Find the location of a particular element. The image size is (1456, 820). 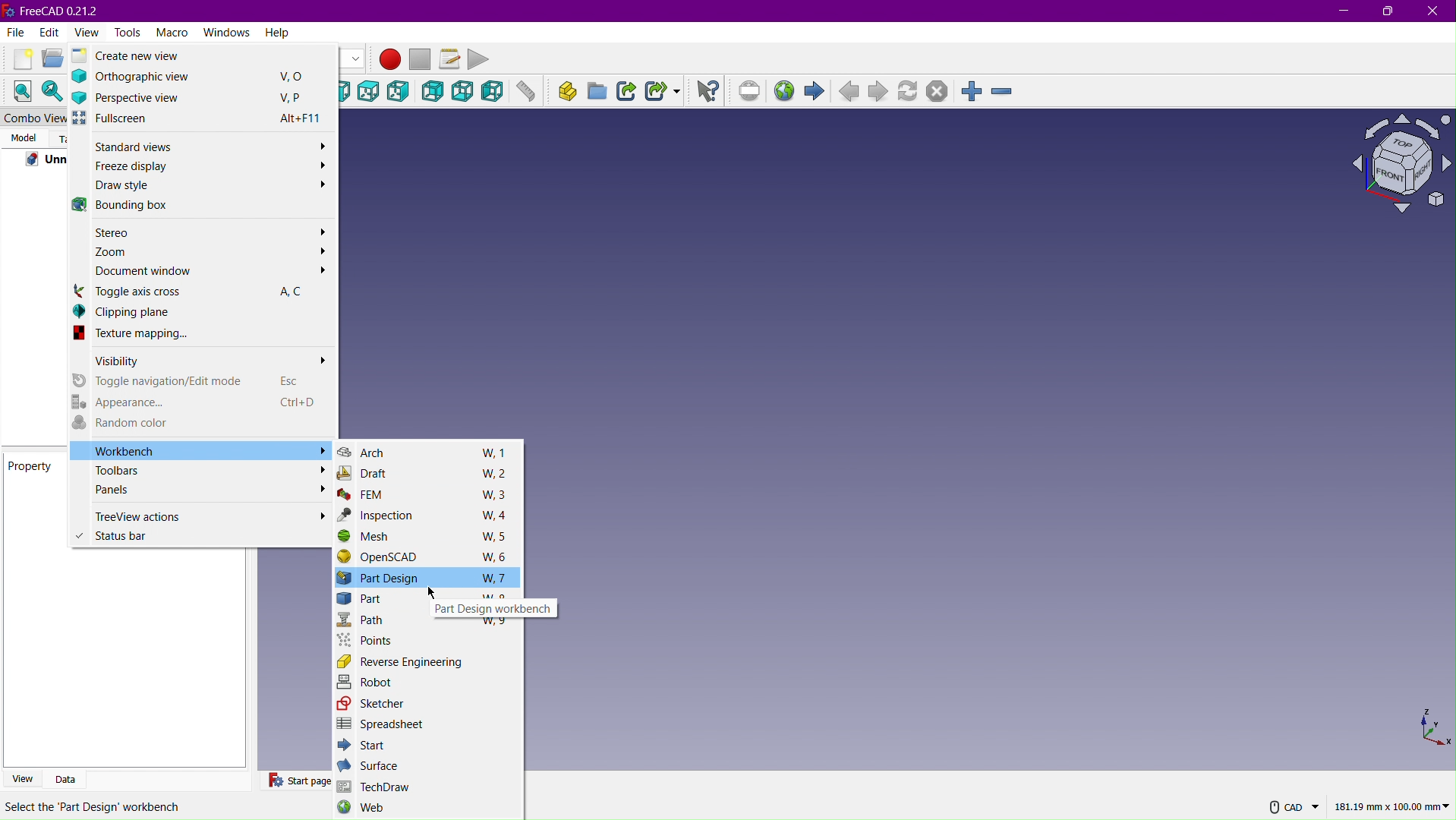

TimeView actions is located at coordinates (203, 515).